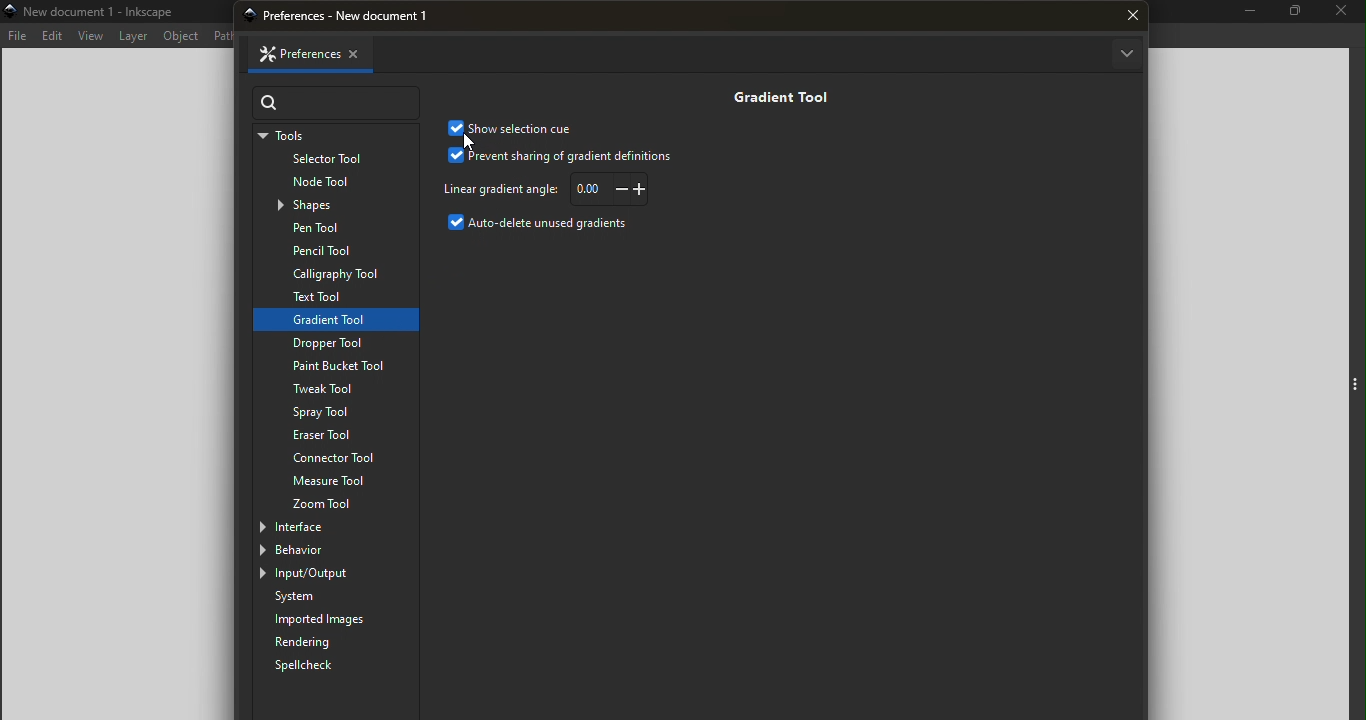 The height and width of the screenshot is (720, 1366). I want to click on Behavior, so click(321, 550).